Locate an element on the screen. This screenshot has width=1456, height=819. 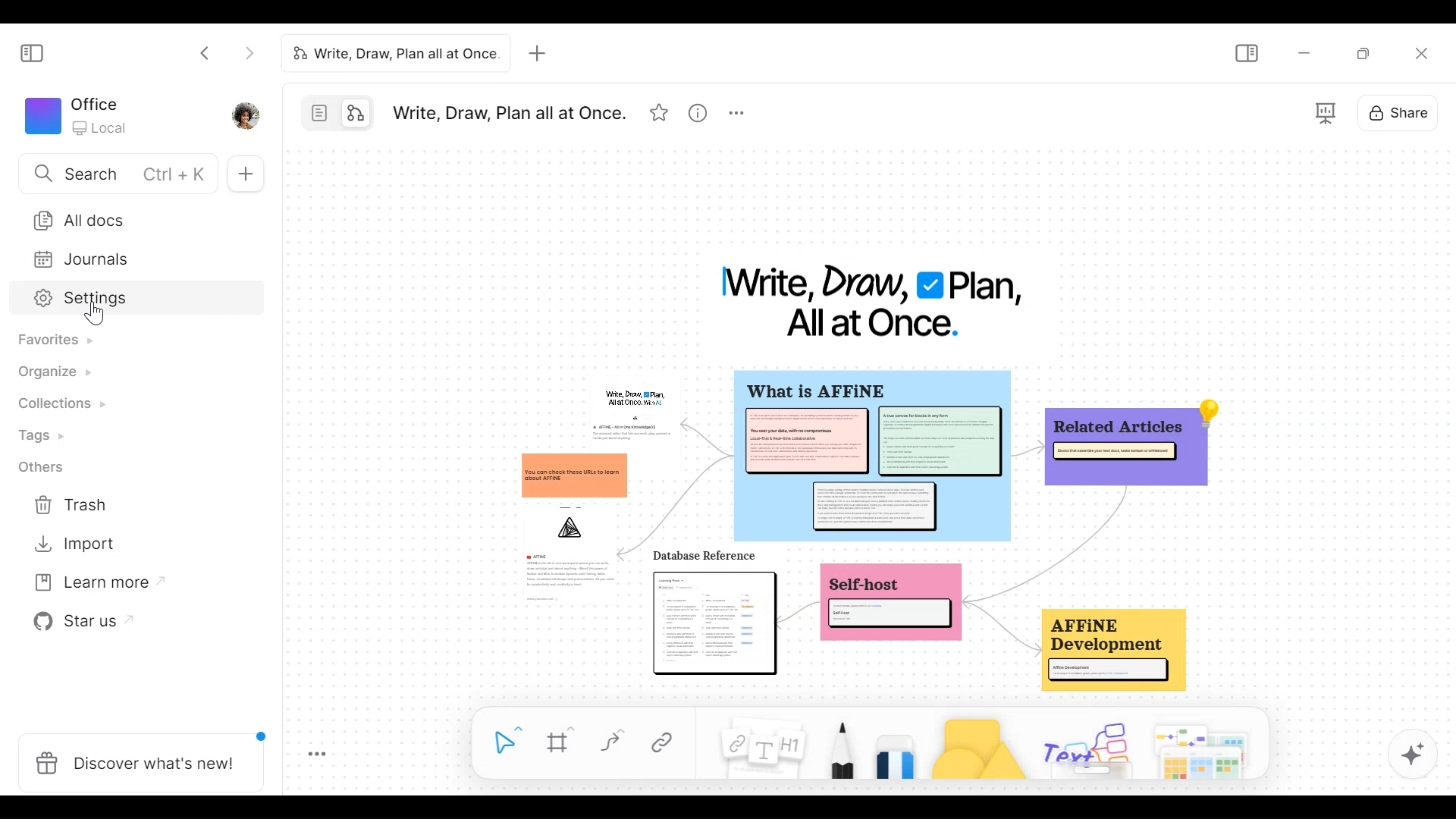
Learn more is located at coordinates (93, 585).